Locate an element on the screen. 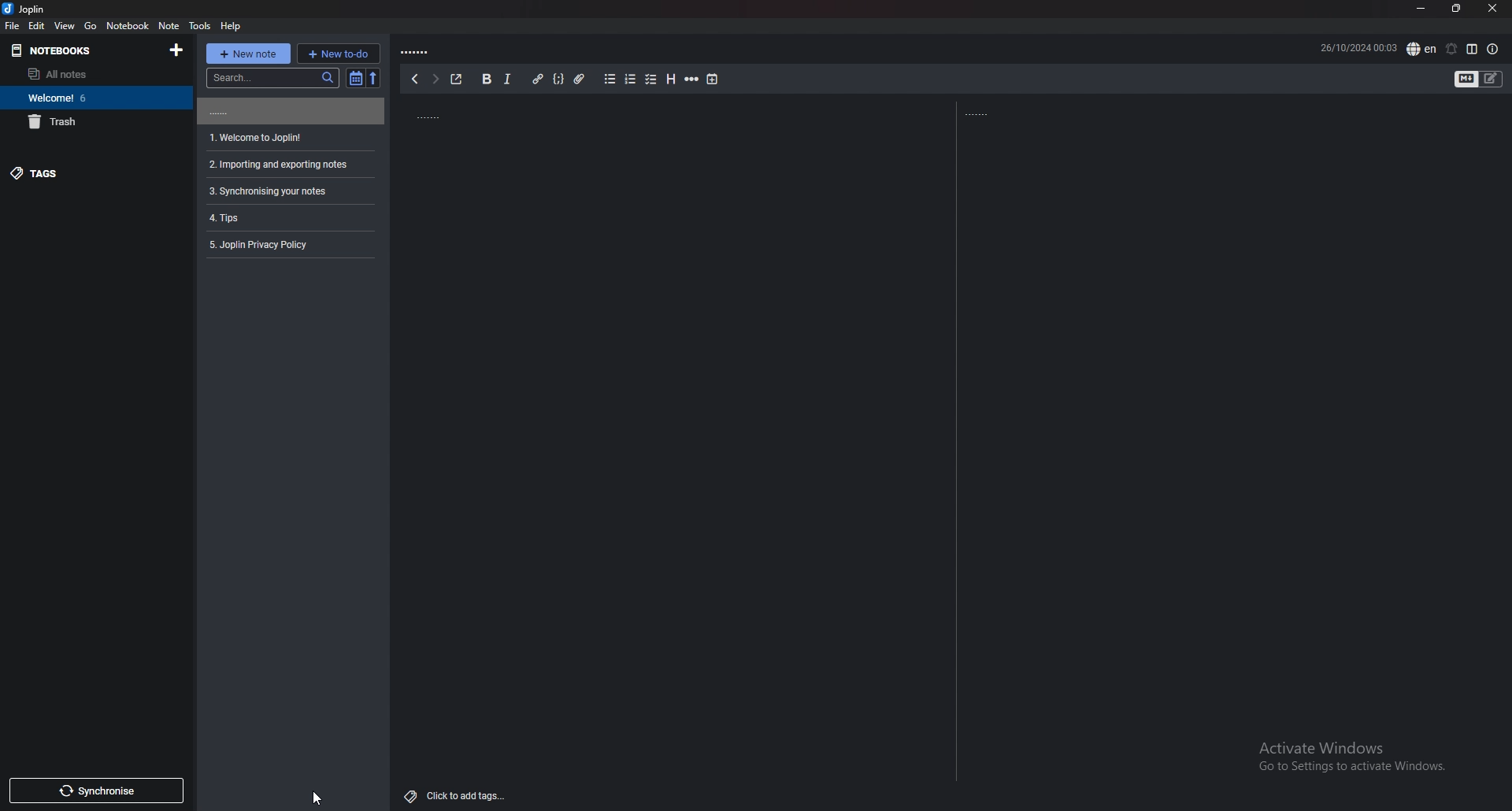  forward is located at coordinates (435, 80).